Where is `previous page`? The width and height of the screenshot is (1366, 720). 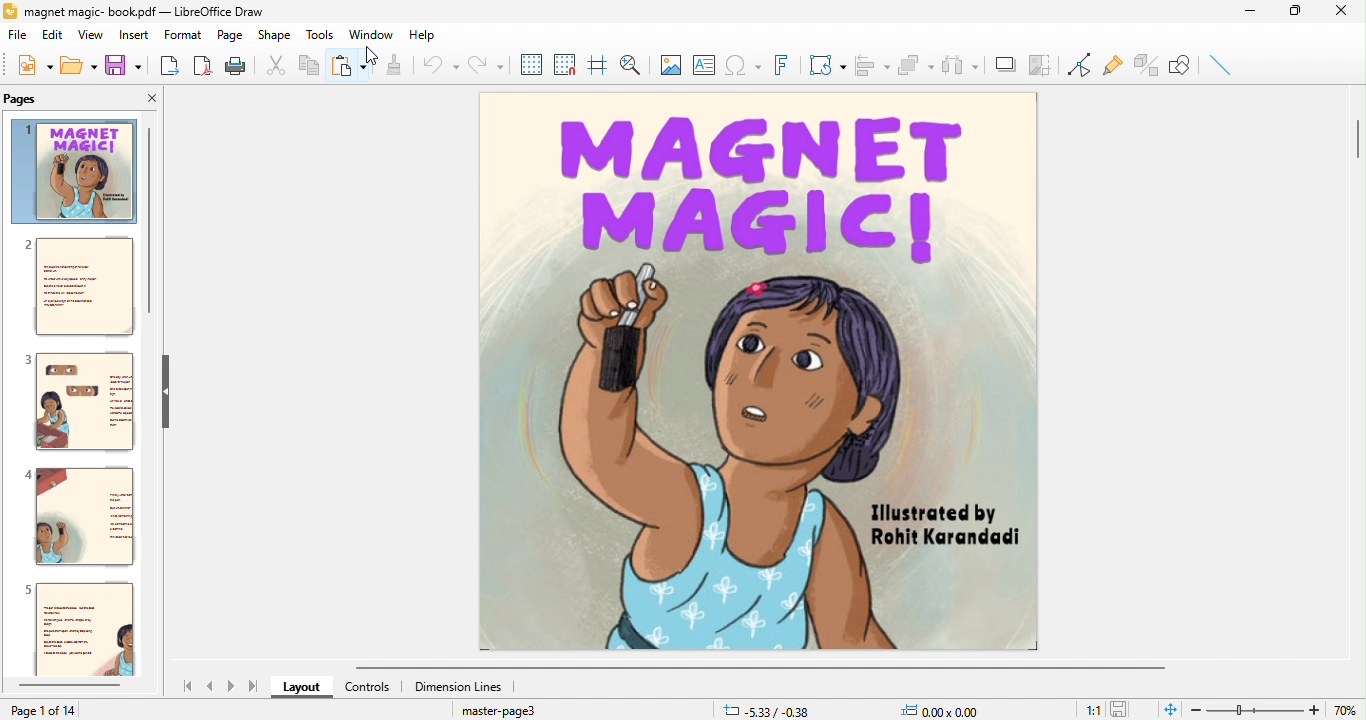
previous page is located at coordinates (210, 686).